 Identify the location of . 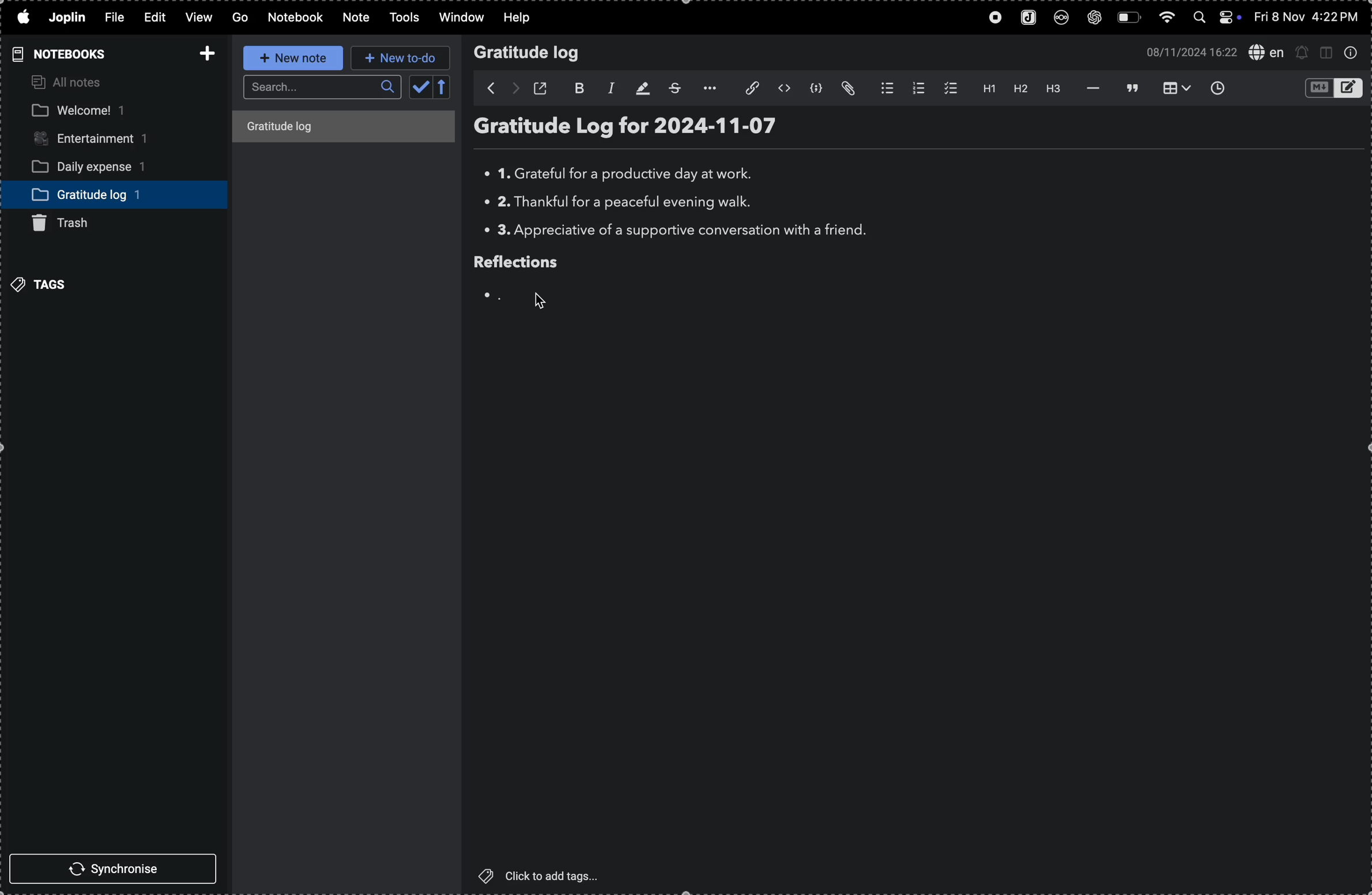
(1336, 87).